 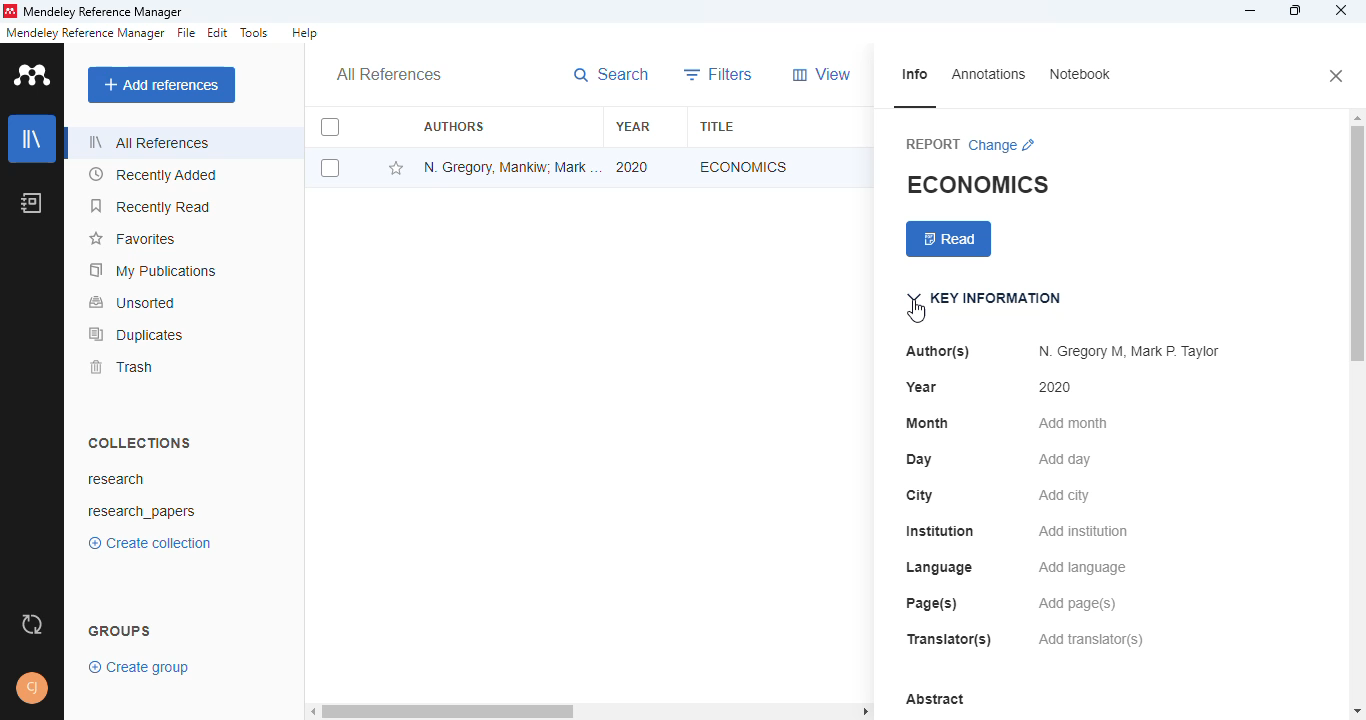 I want to click on minimize, so click(x=1252, y=10).